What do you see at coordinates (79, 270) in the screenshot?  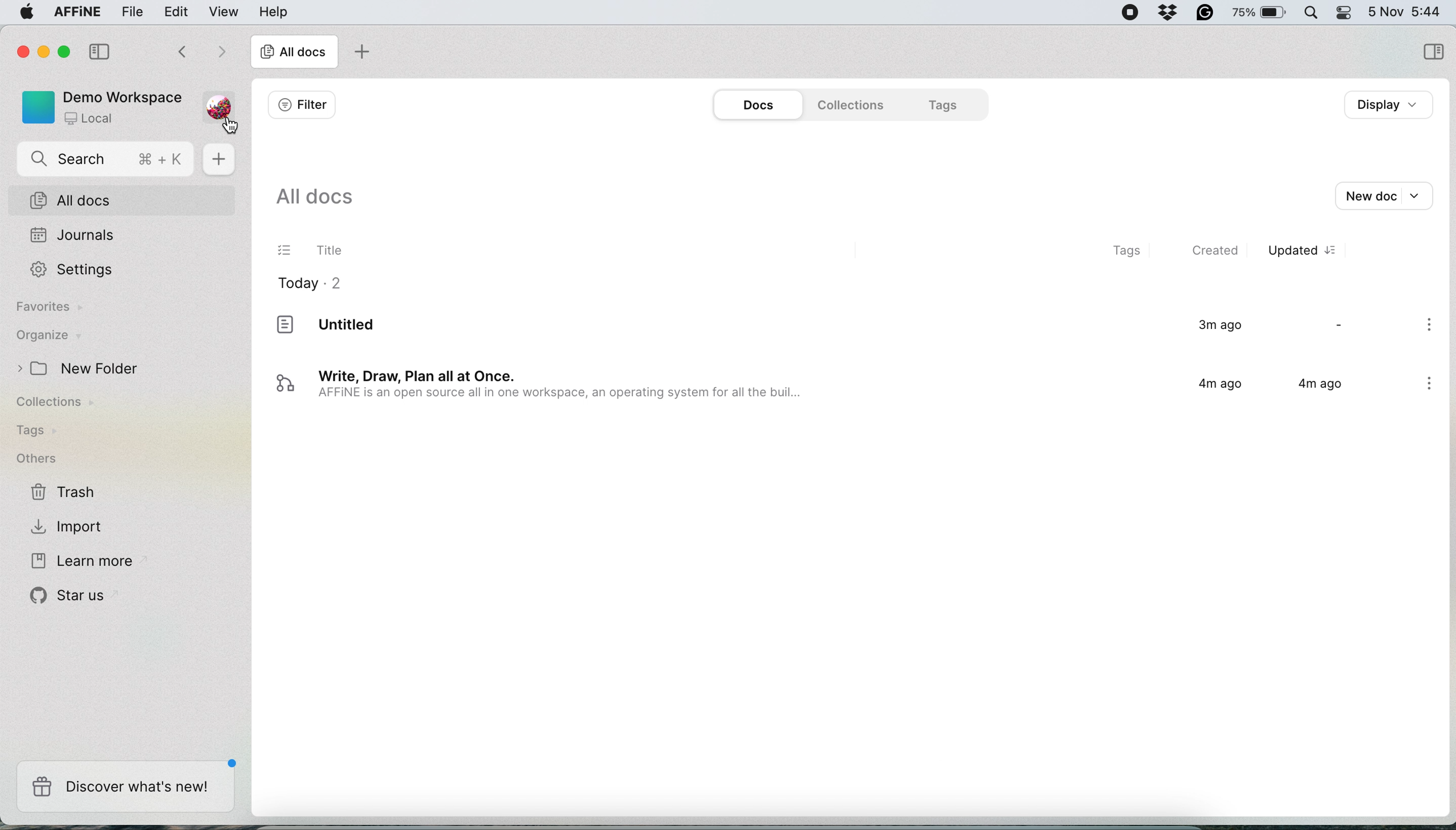 I see `settings` at bounding box center [79, 270].